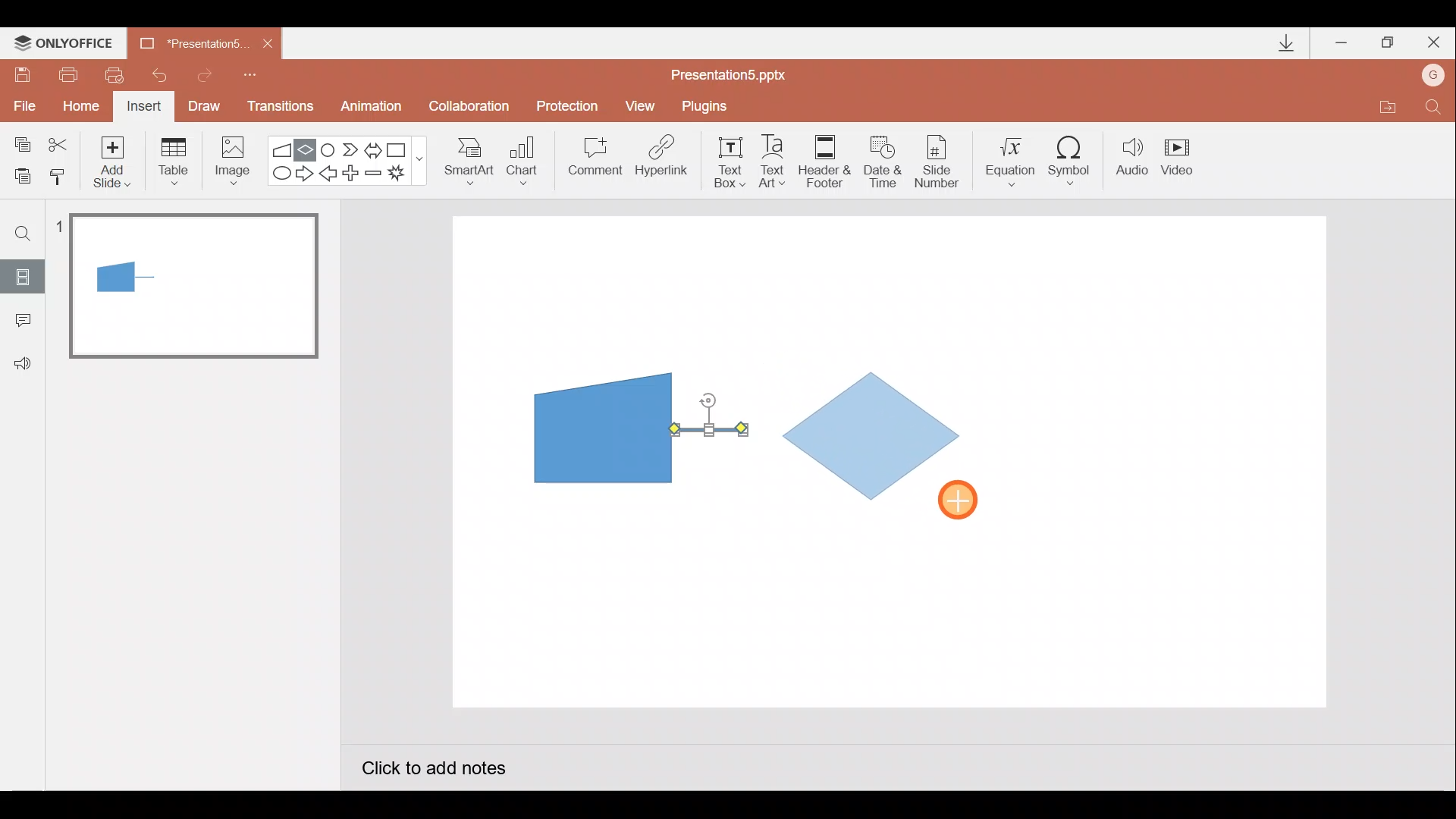 The image size is (1456, 819). I want to click on Feedback & support, so click(24, 362).